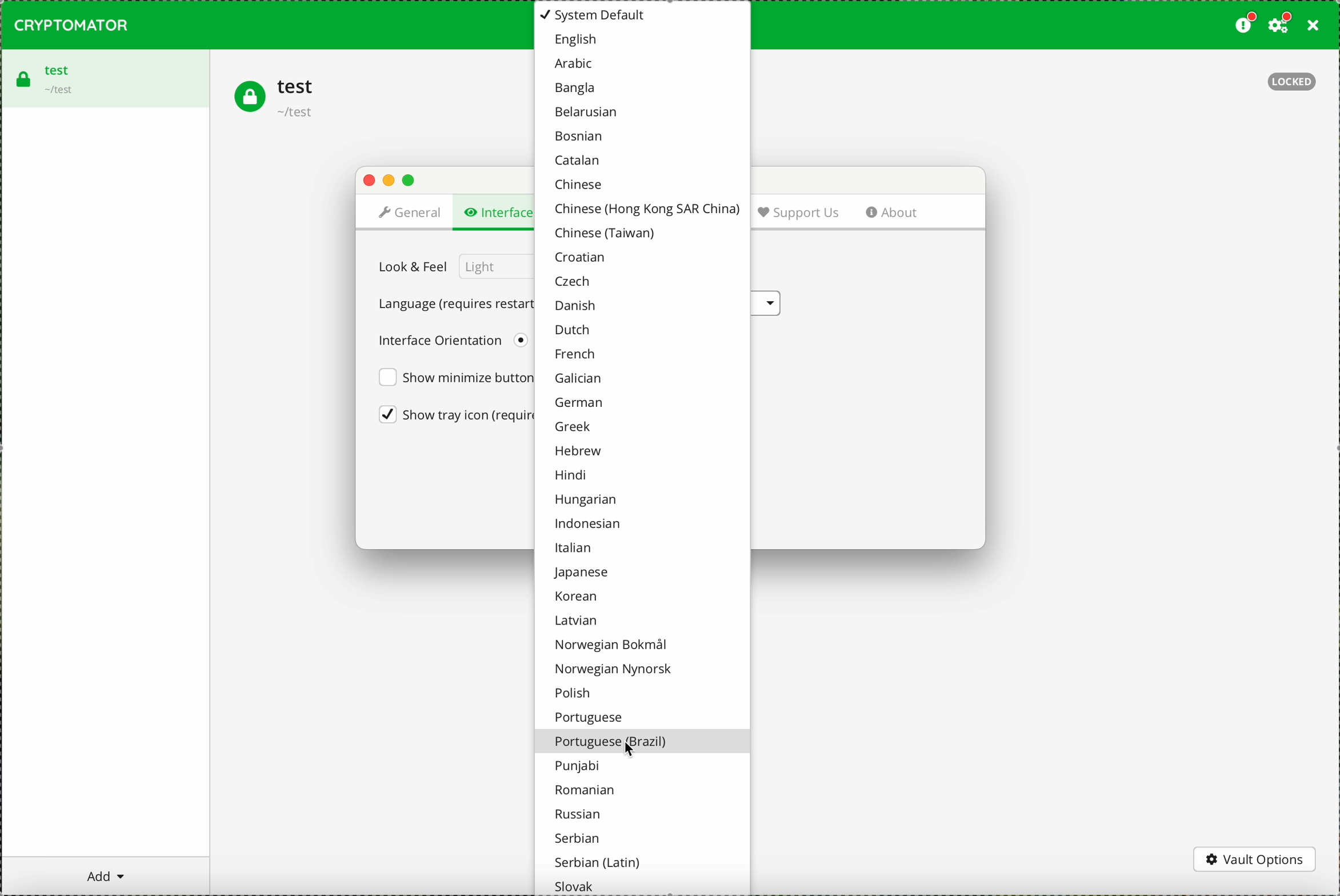  I want to click on test vault, so click(104, 78).